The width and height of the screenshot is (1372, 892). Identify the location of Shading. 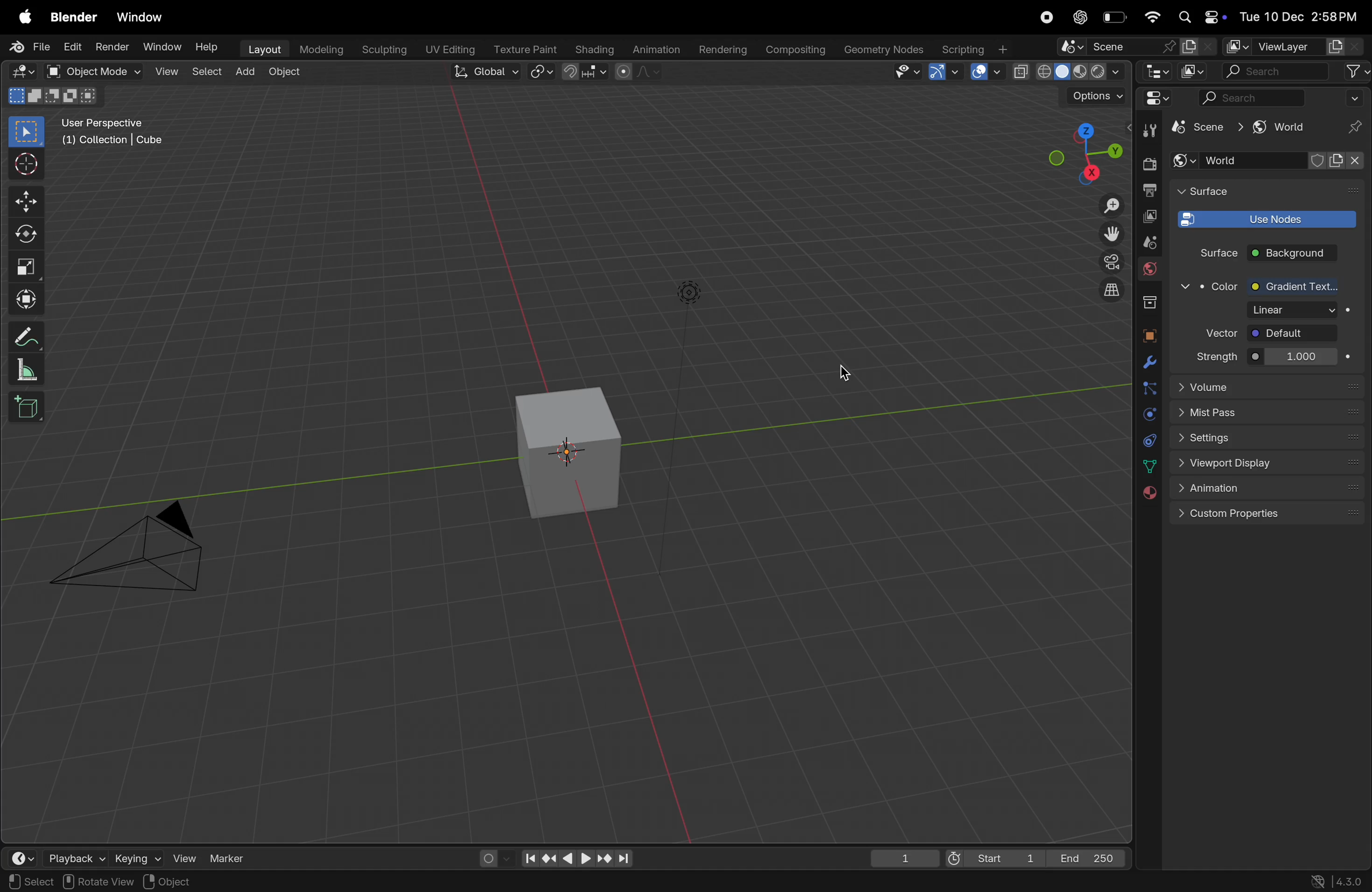
(593, 49).